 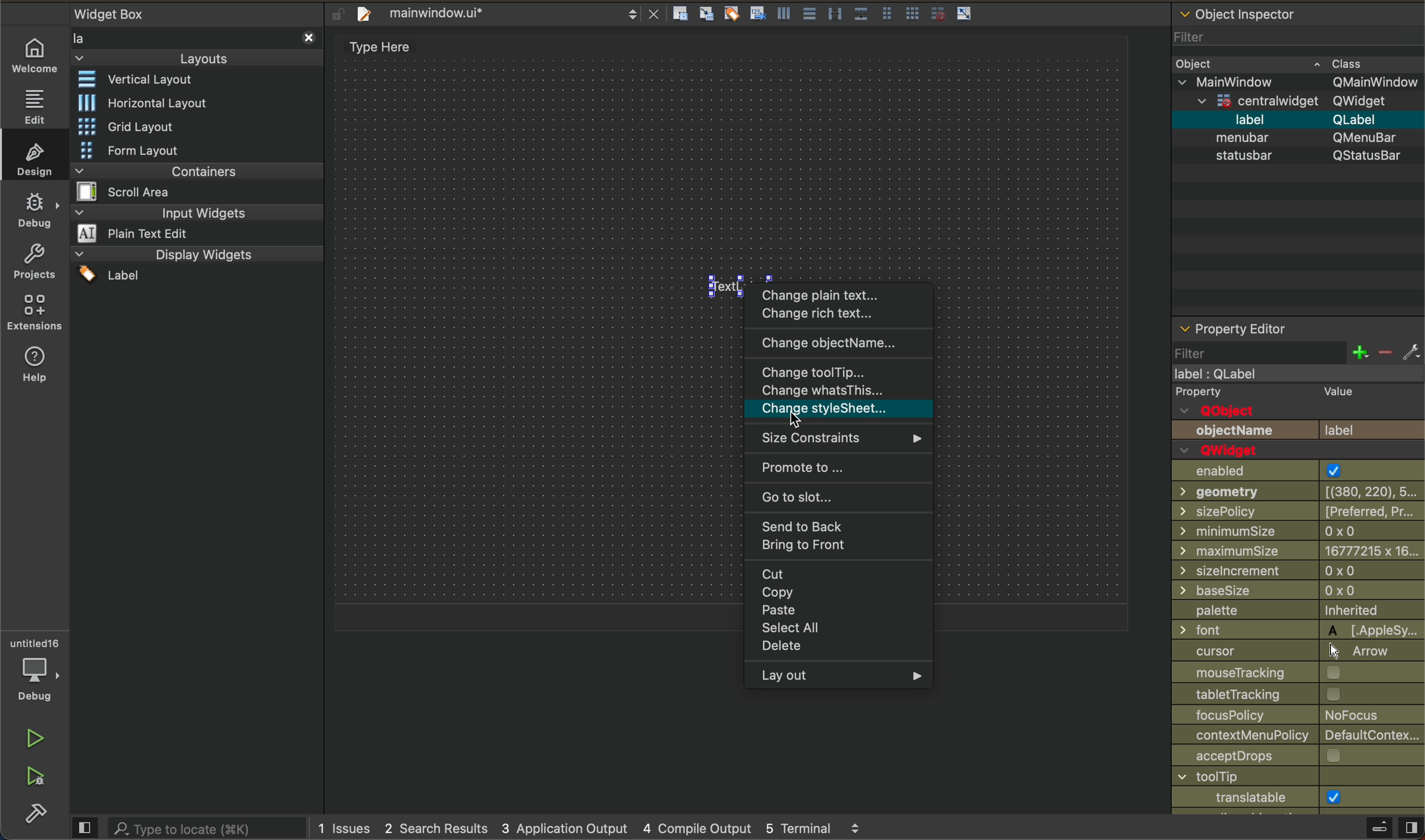 What do you see at coordinates (1296, 513) in the screenshot?
I see `size policy` at bounding box center [1296, 513].